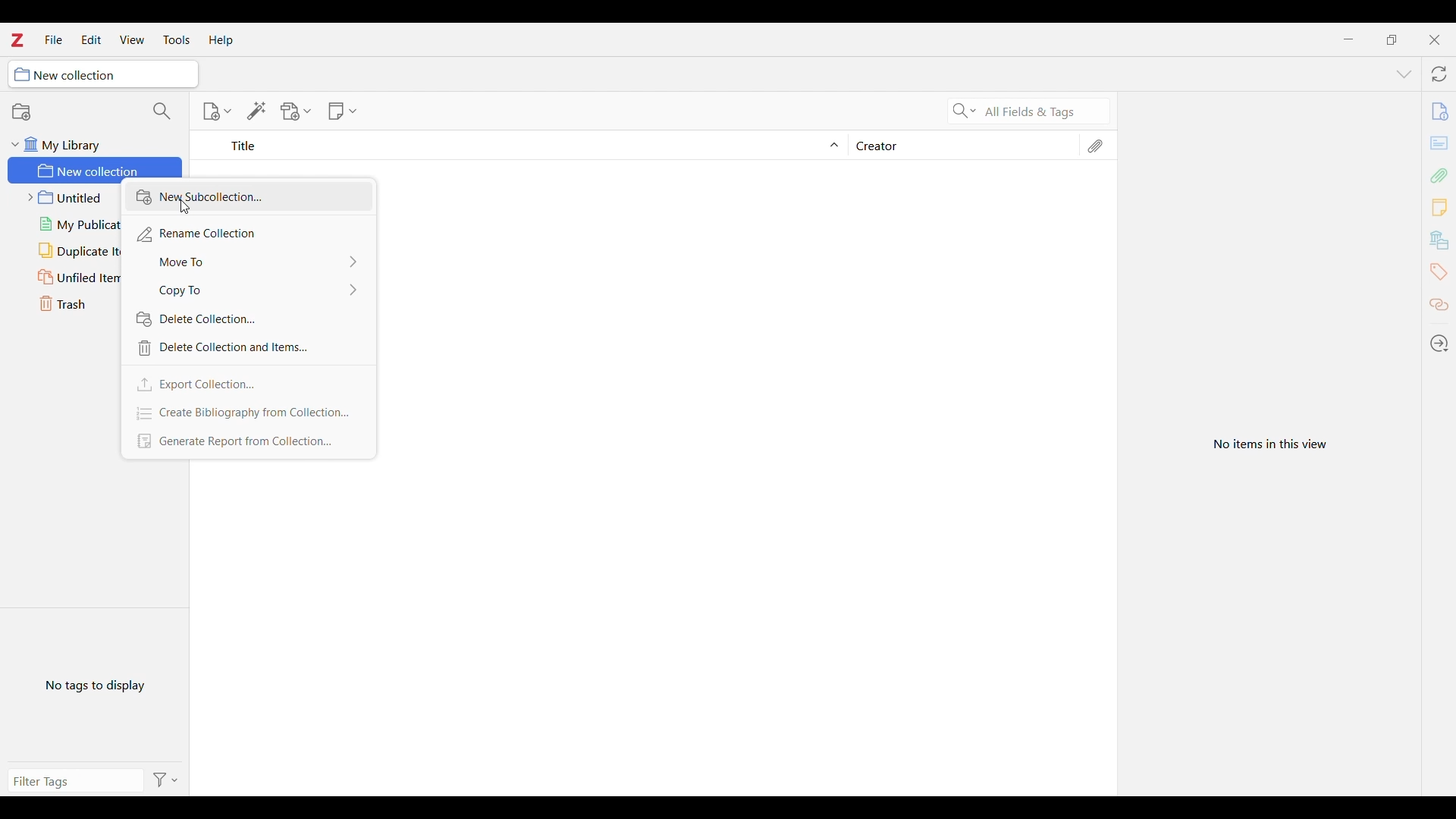 The width and height of the screenshot is (1456, 819). What do you see at coordinates (1439, 111) in the screenshot?
I see `file` at bounding box center [1439, 111].